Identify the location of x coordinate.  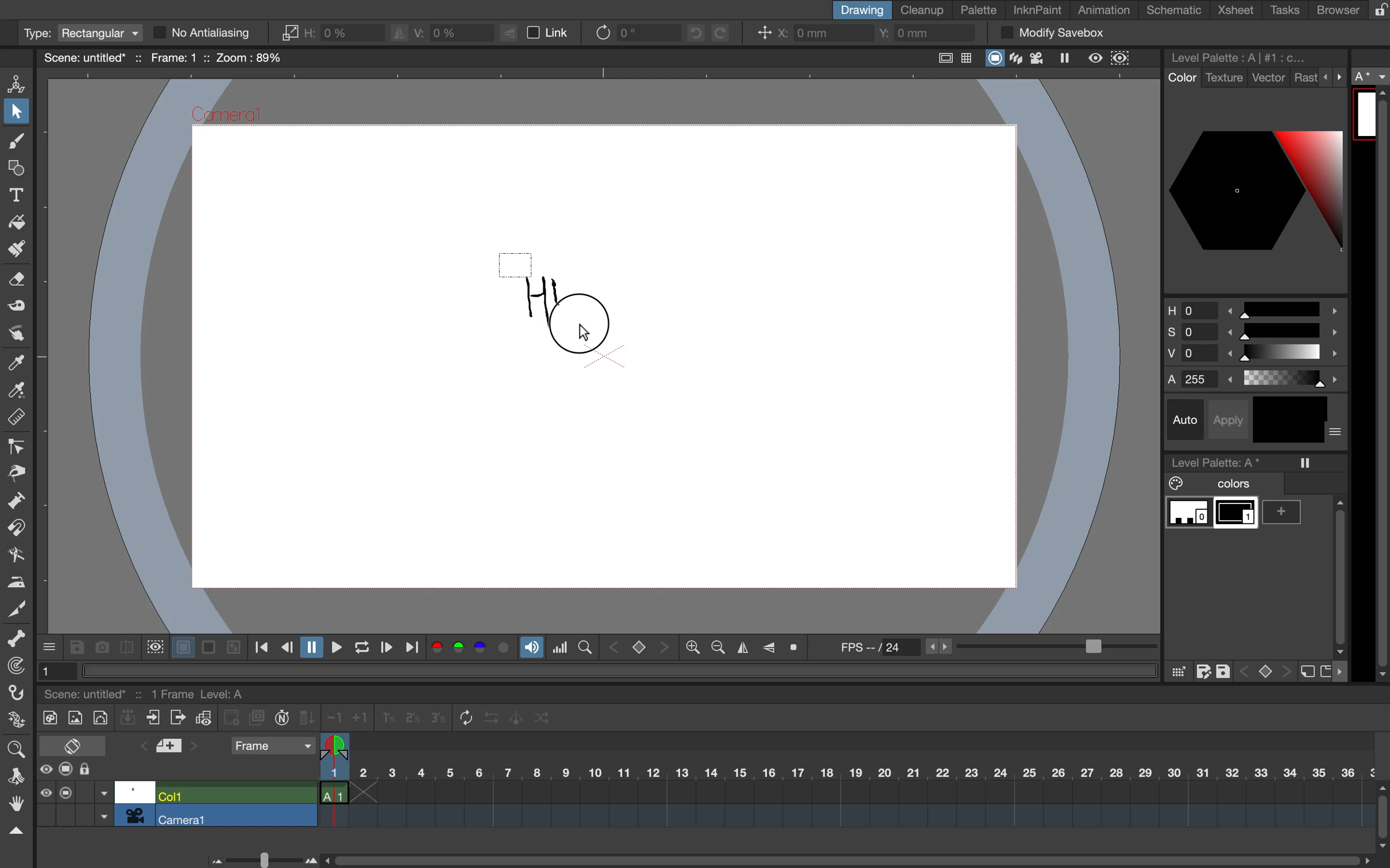
(809, 34).